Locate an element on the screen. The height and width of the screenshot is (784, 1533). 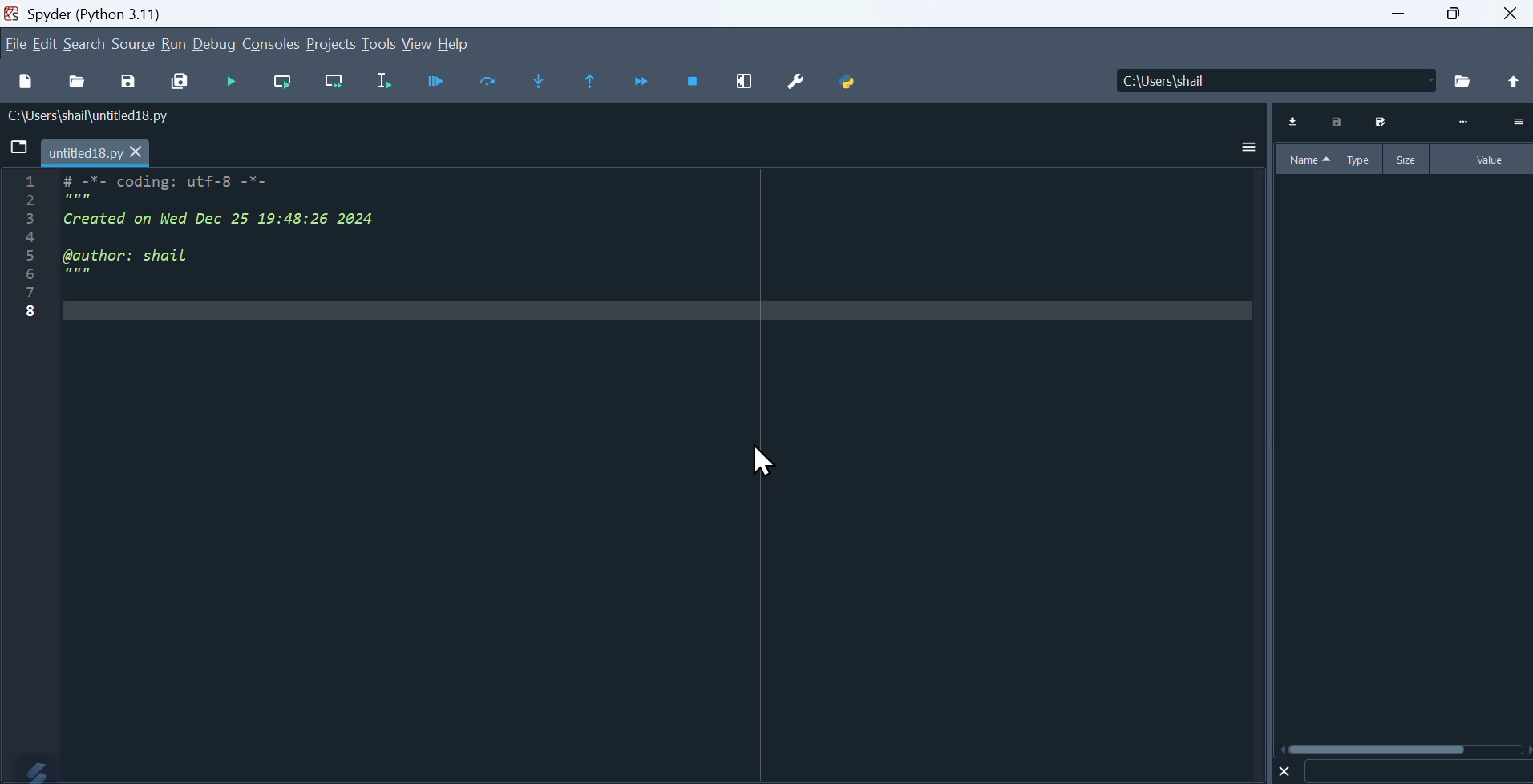
w == Coding. ULT=0 ==Created on Wed Dec 25 19:48:26 2024 @author: shail is located at coordinates (200, 260).